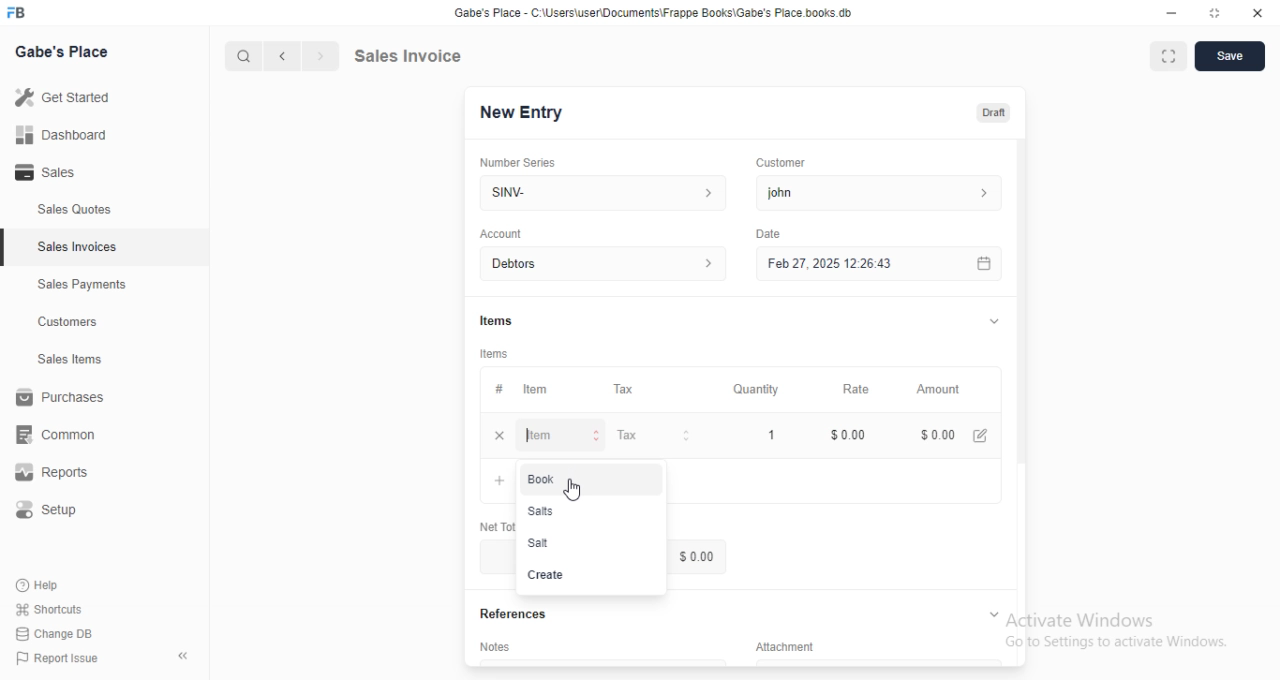 The height and width of the screenshot is (680, 1280). I want to click on Book, so click(546, 480).